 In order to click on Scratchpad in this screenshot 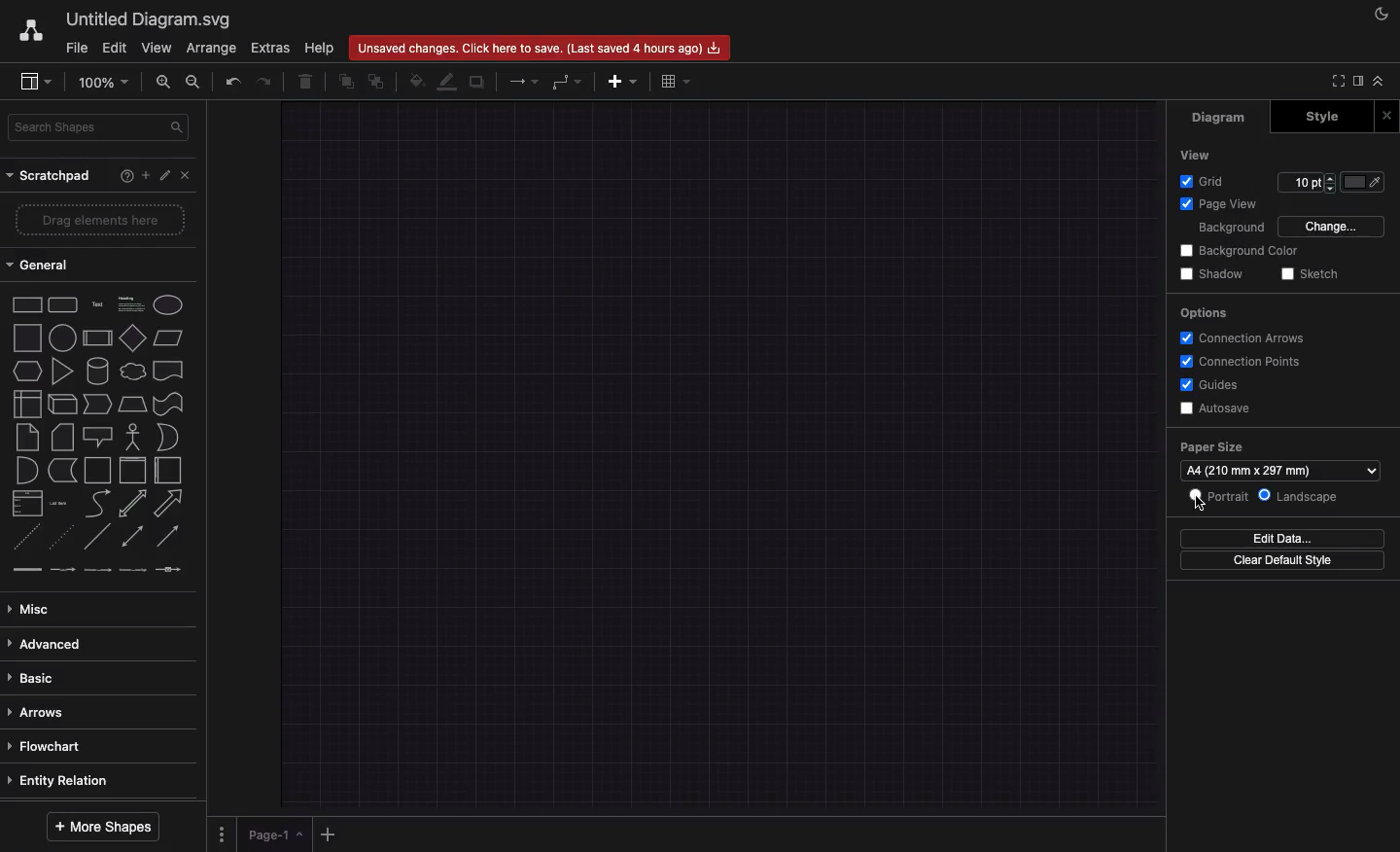, I will do `click(49, 176)`.